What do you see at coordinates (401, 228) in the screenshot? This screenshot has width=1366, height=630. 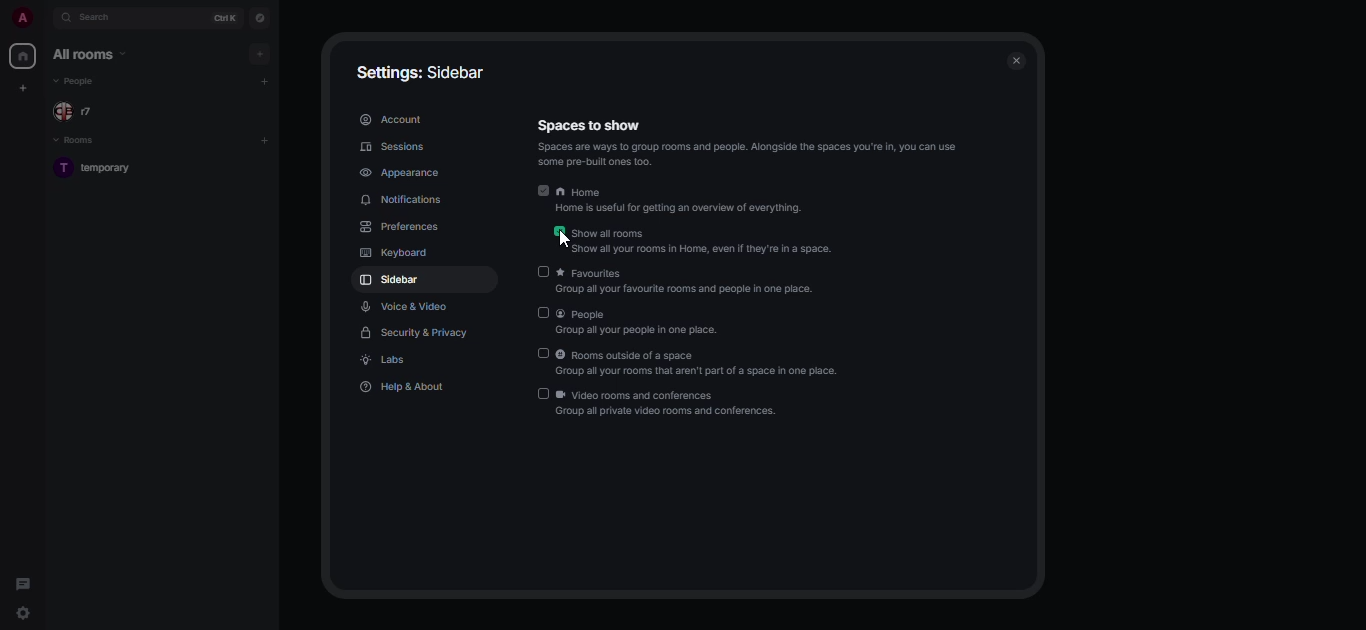 I see `preferences` at bounding box center [401, 228].